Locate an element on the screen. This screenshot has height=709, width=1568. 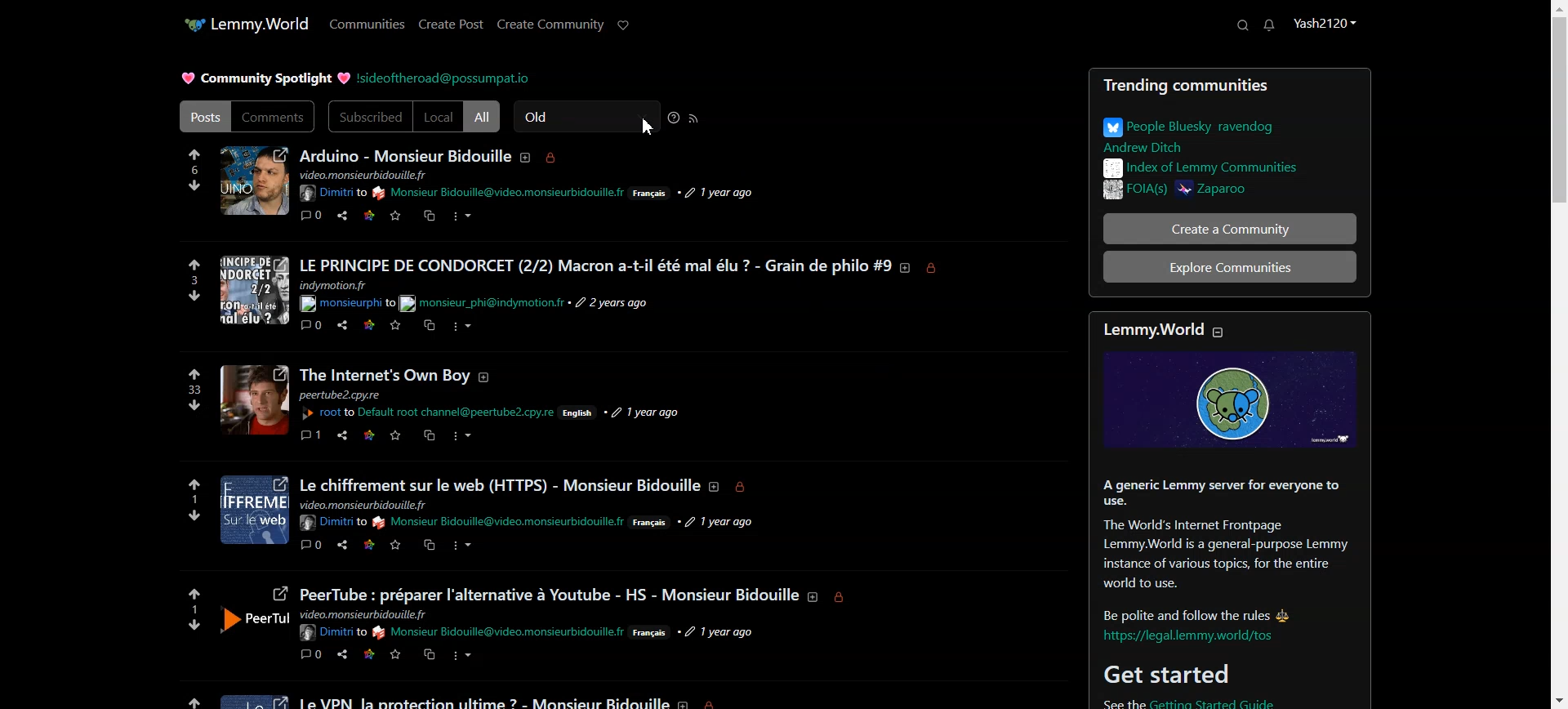
Text is located at coordinates (265, 78).